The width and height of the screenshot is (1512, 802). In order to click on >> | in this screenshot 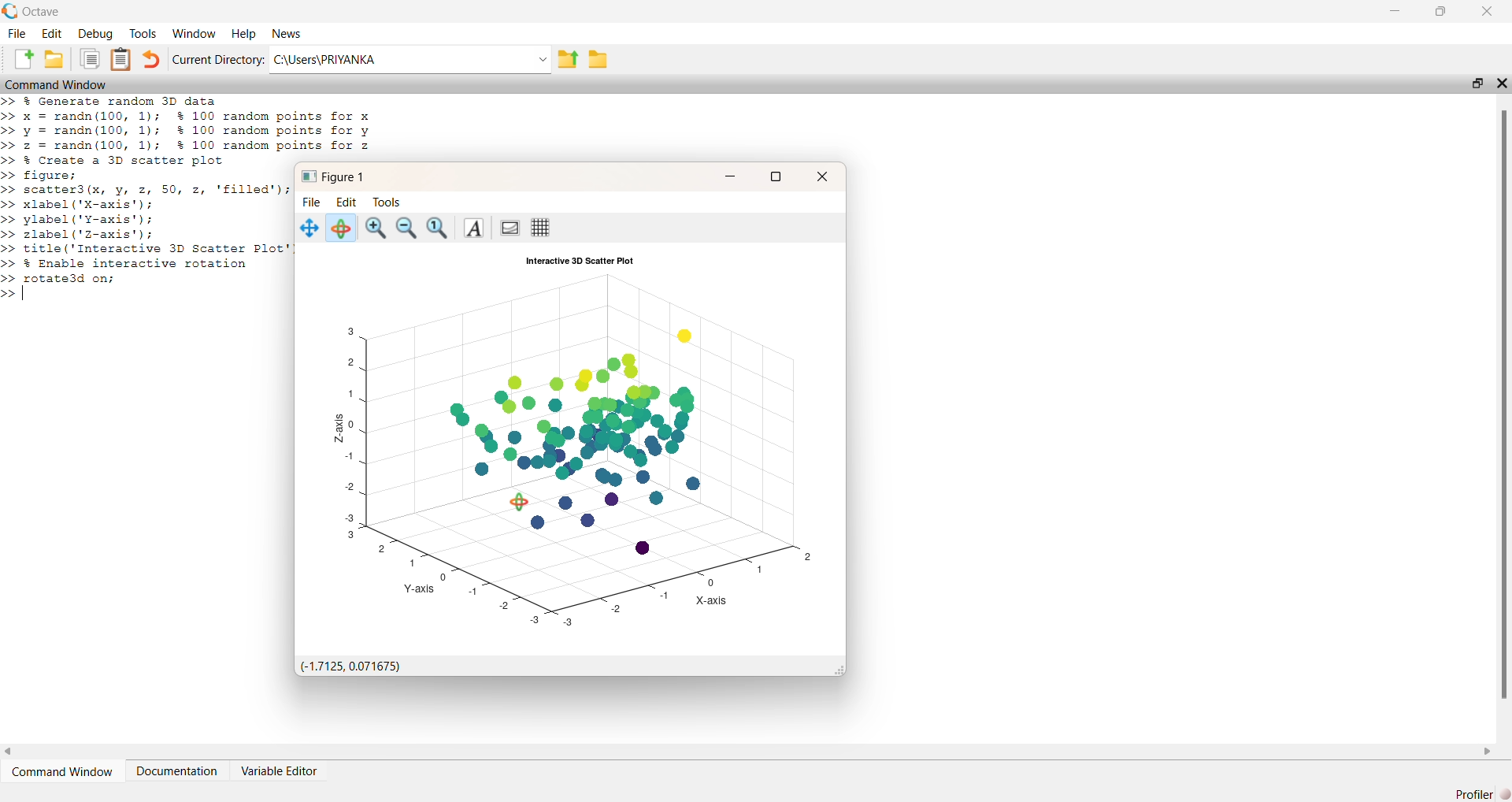, I will do `click(17, 295)`.